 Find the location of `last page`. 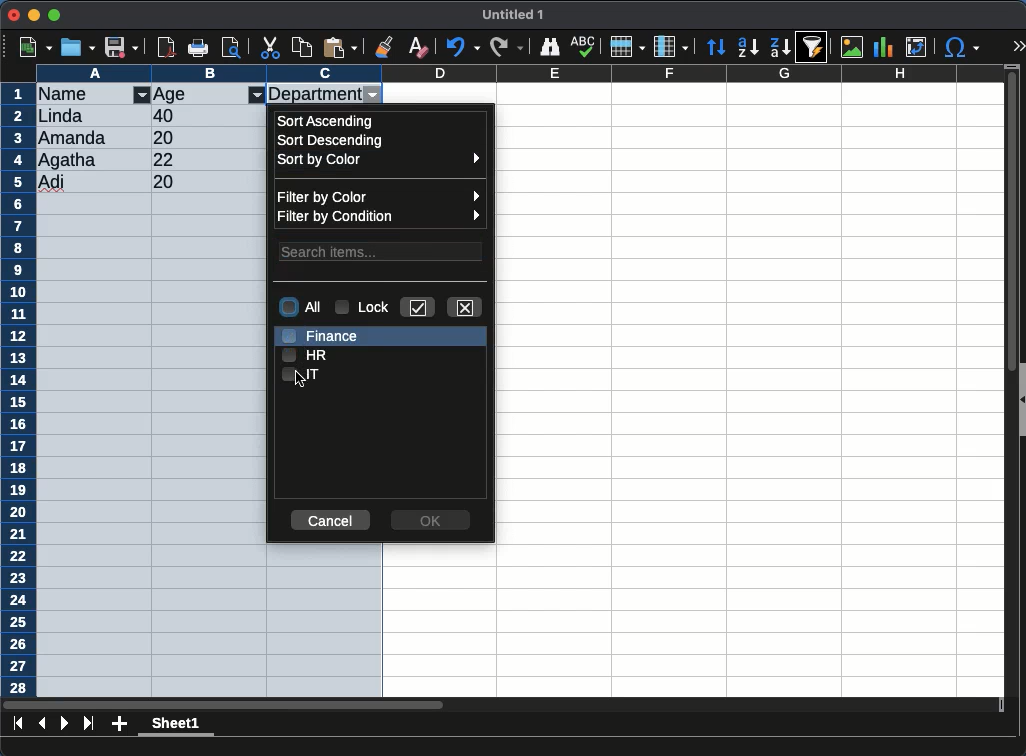

last page is located at coordinates (88, 725).